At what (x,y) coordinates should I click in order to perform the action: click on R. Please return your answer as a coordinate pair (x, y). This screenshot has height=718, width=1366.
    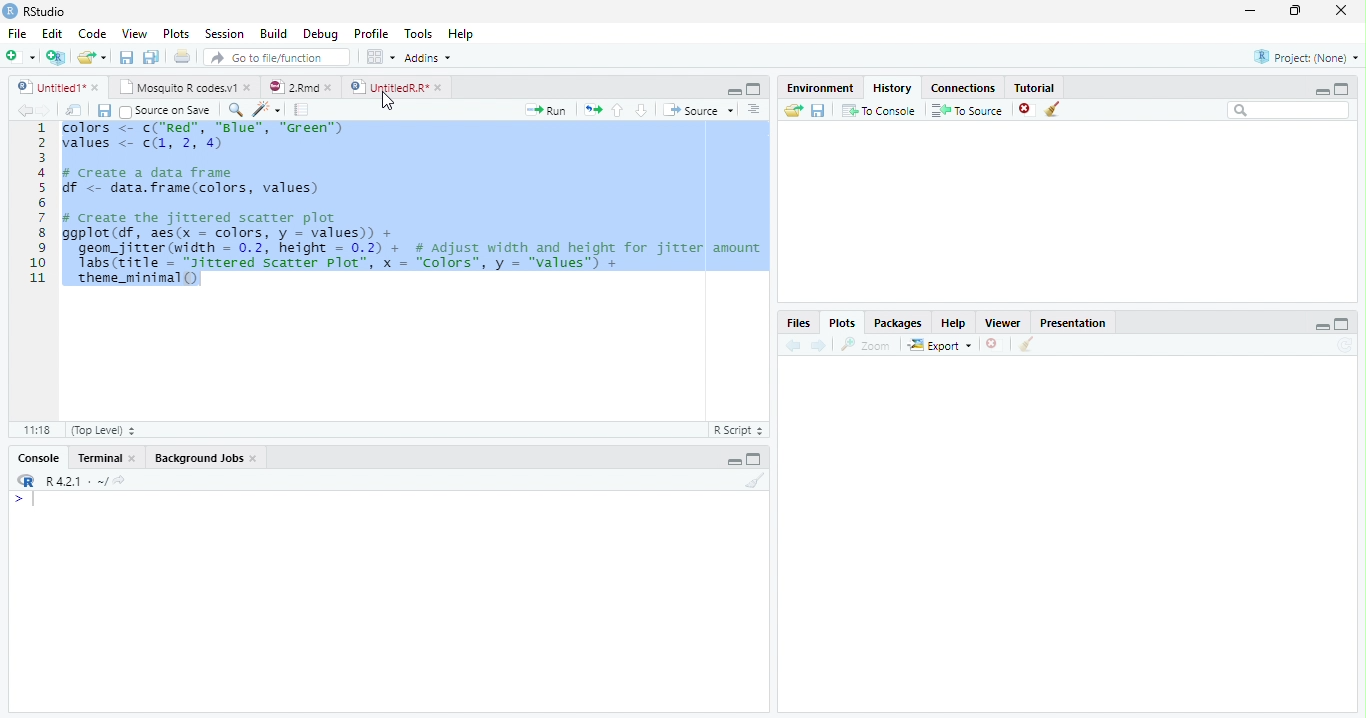
    Looking at the image, I should click on (25, 481).